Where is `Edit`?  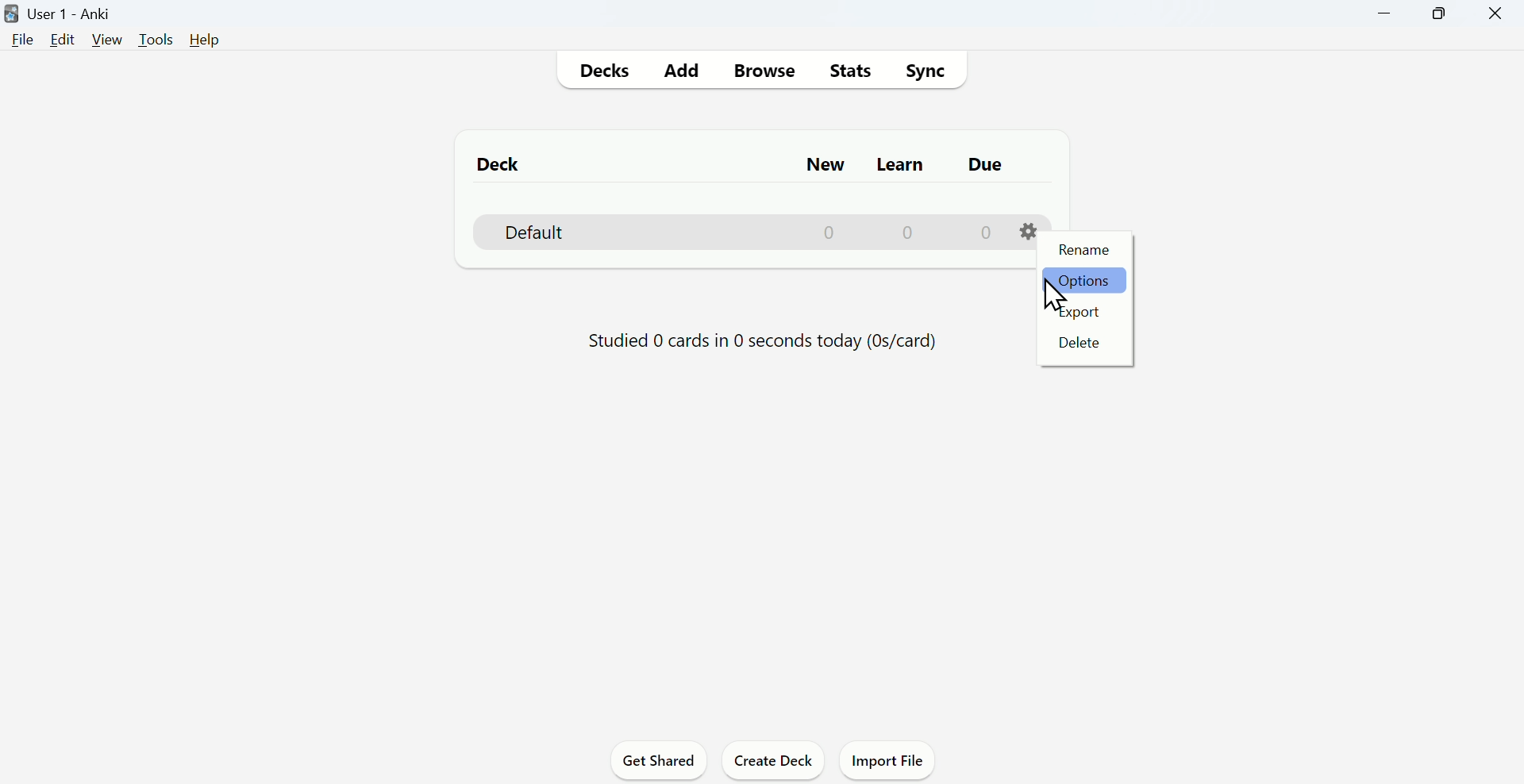
Edit is located at coordinates (61, 42).